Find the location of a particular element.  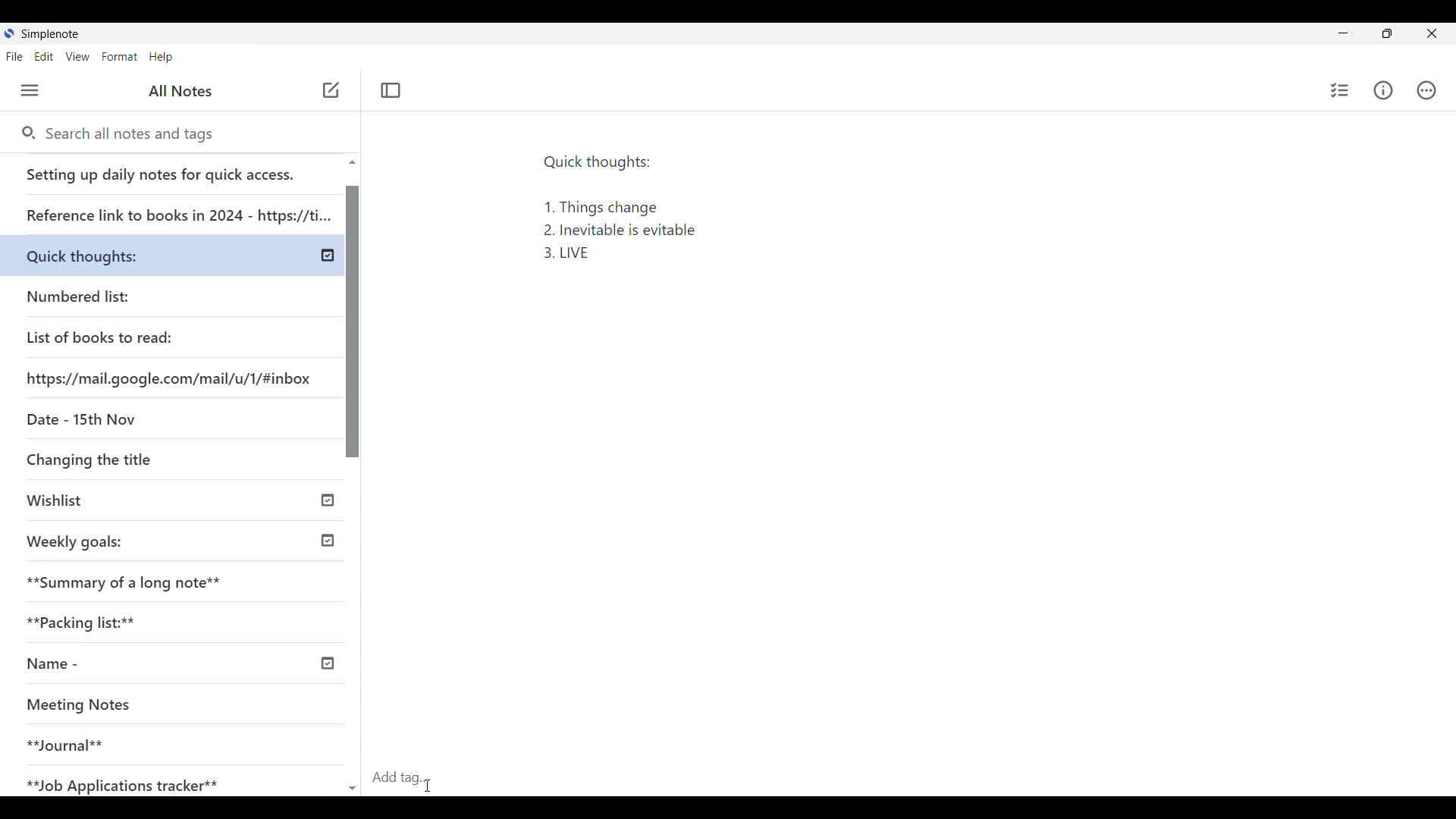

All notes is located at coordinates (180, 91).